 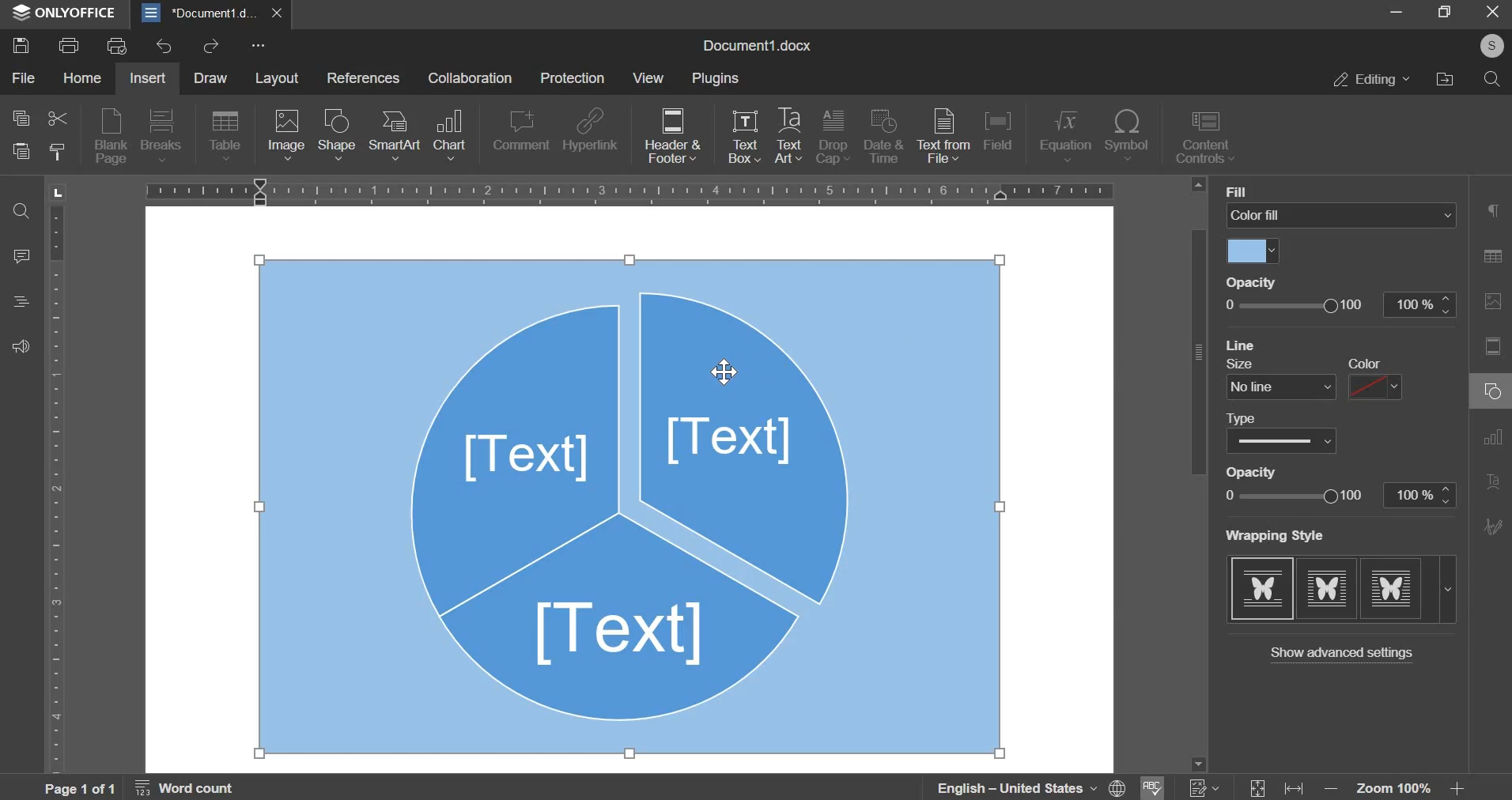 What do you see at coordinates (1253, 188) in the screenshot?
I see `` at bounding box center [1253, 188].